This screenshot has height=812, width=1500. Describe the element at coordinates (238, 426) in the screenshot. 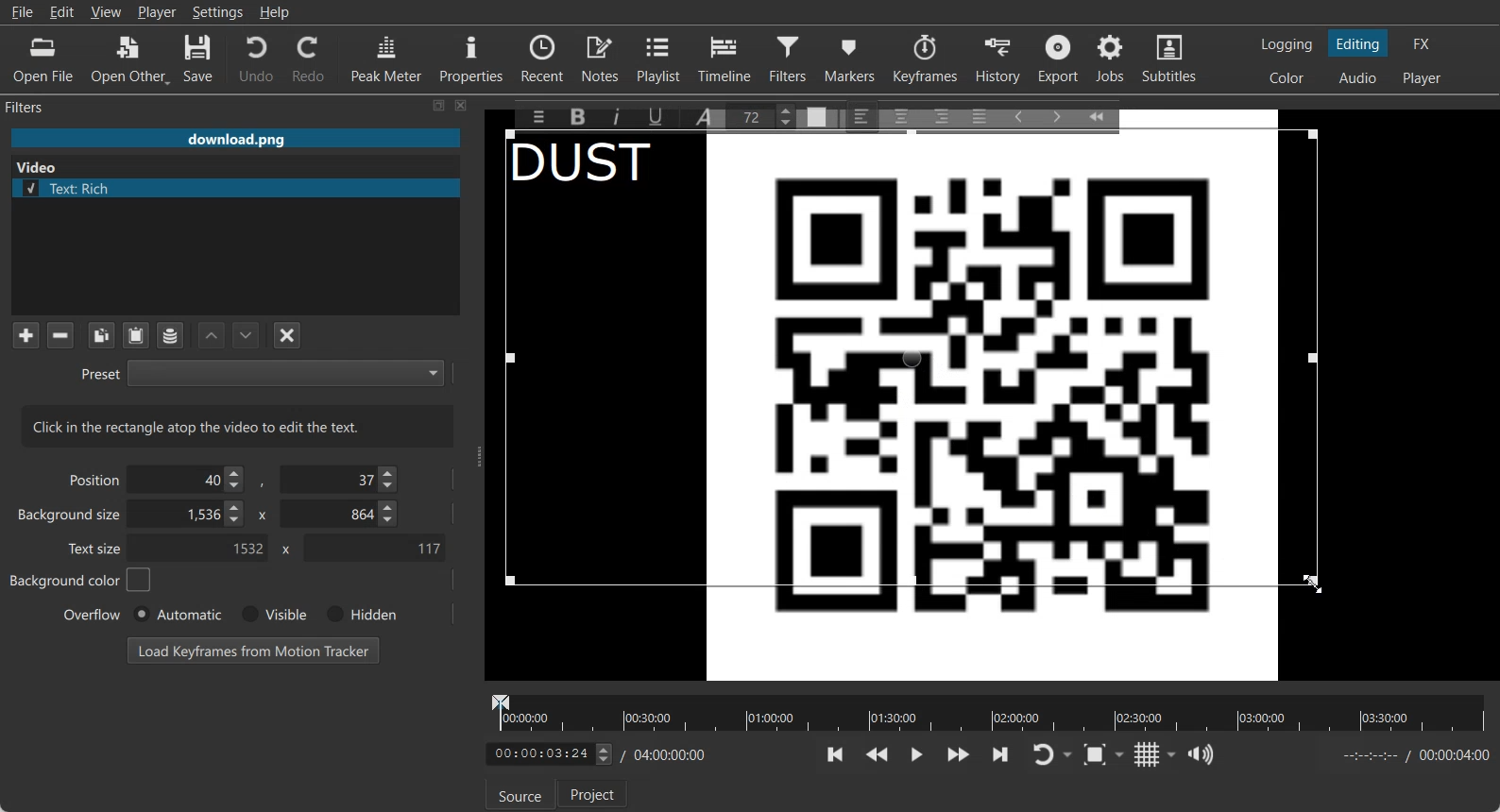

I see `Text` at that location.